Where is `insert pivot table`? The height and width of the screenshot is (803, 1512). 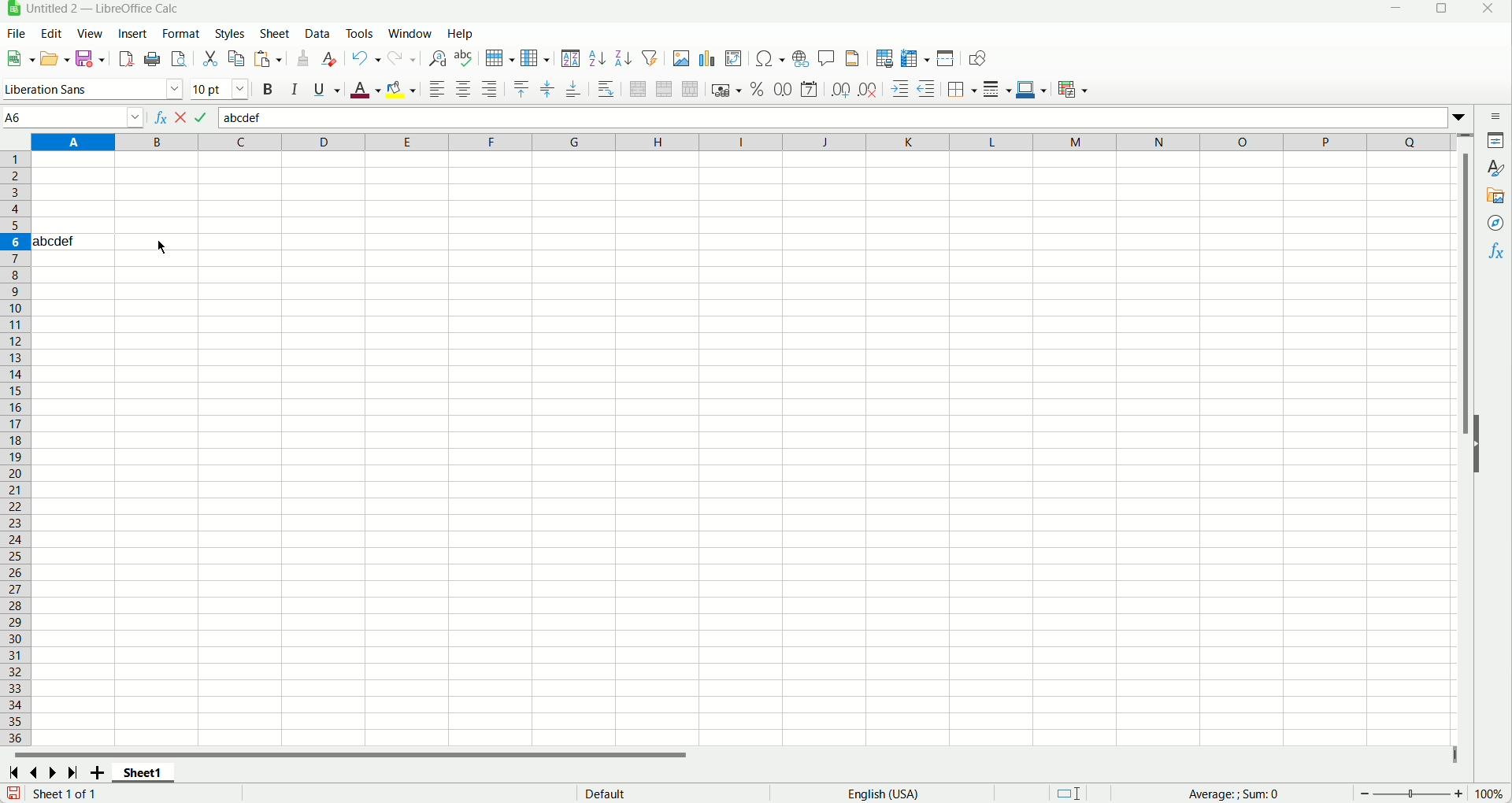
insert pivot table is located at coordinates (735, 59).